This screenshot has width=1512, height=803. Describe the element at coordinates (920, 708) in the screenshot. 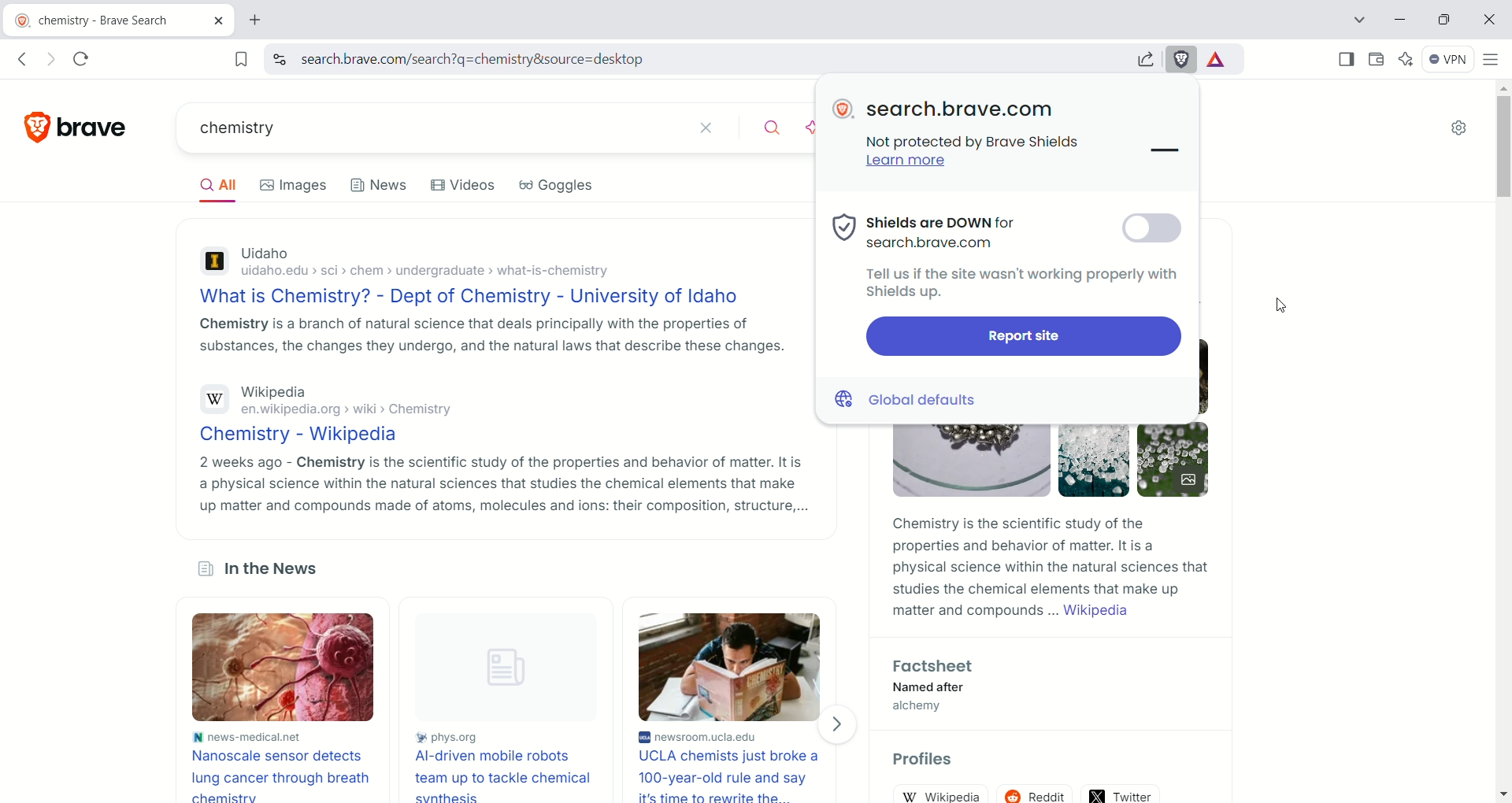

I see `alchemy` at that location.